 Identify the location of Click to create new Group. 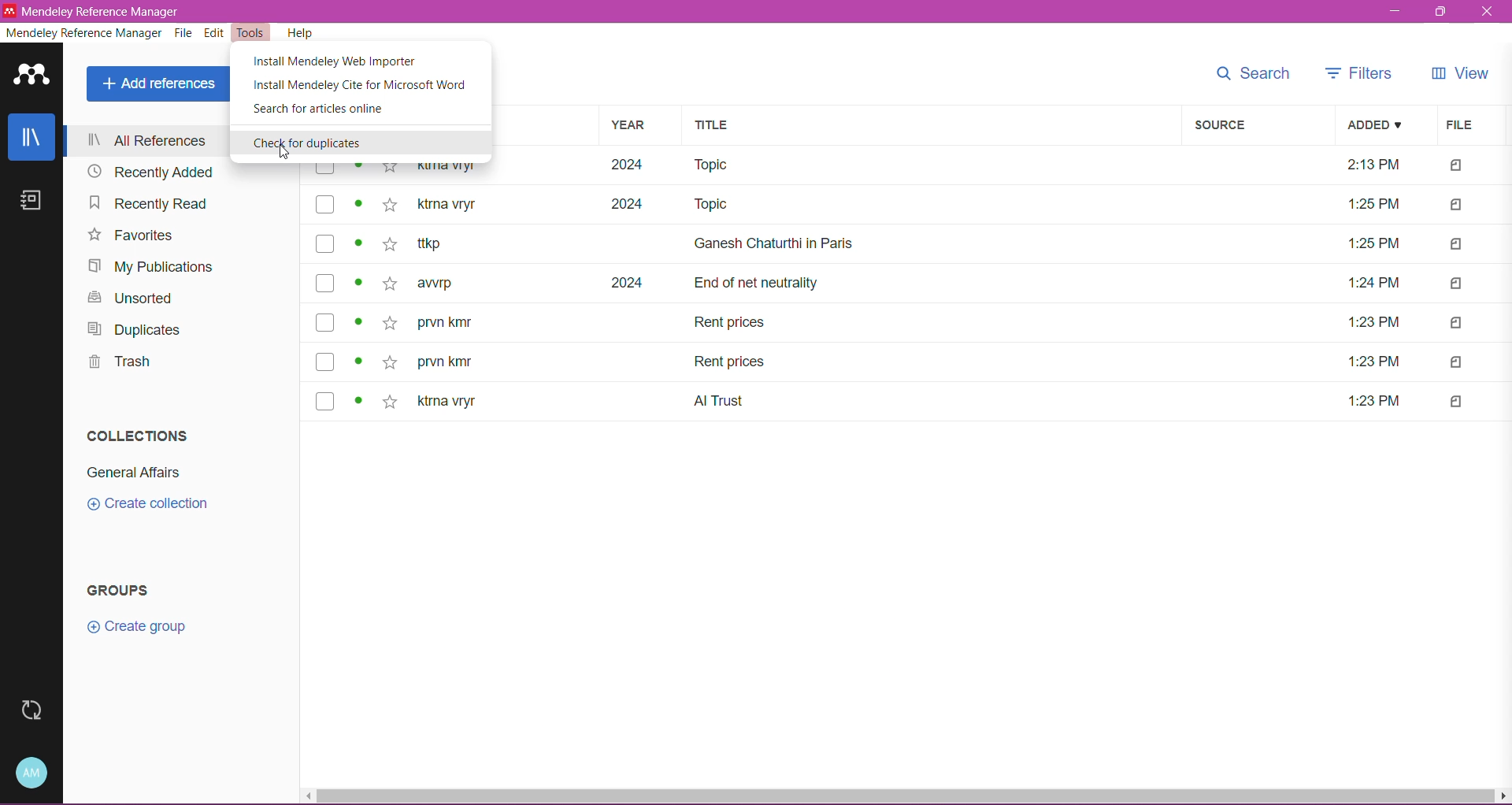
(139, 625).